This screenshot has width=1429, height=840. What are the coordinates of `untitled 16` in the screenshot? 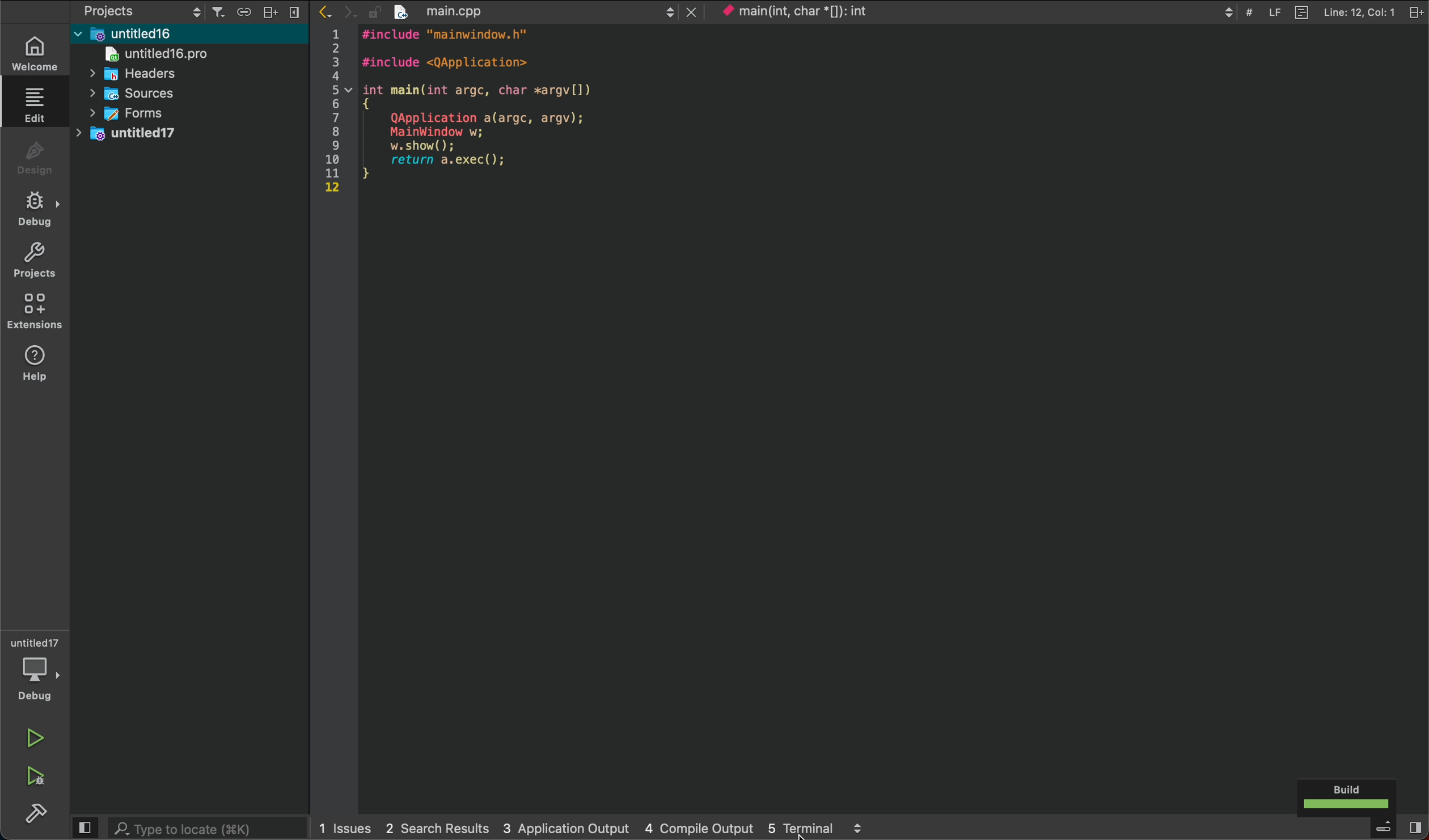 It's located at (161, 32).